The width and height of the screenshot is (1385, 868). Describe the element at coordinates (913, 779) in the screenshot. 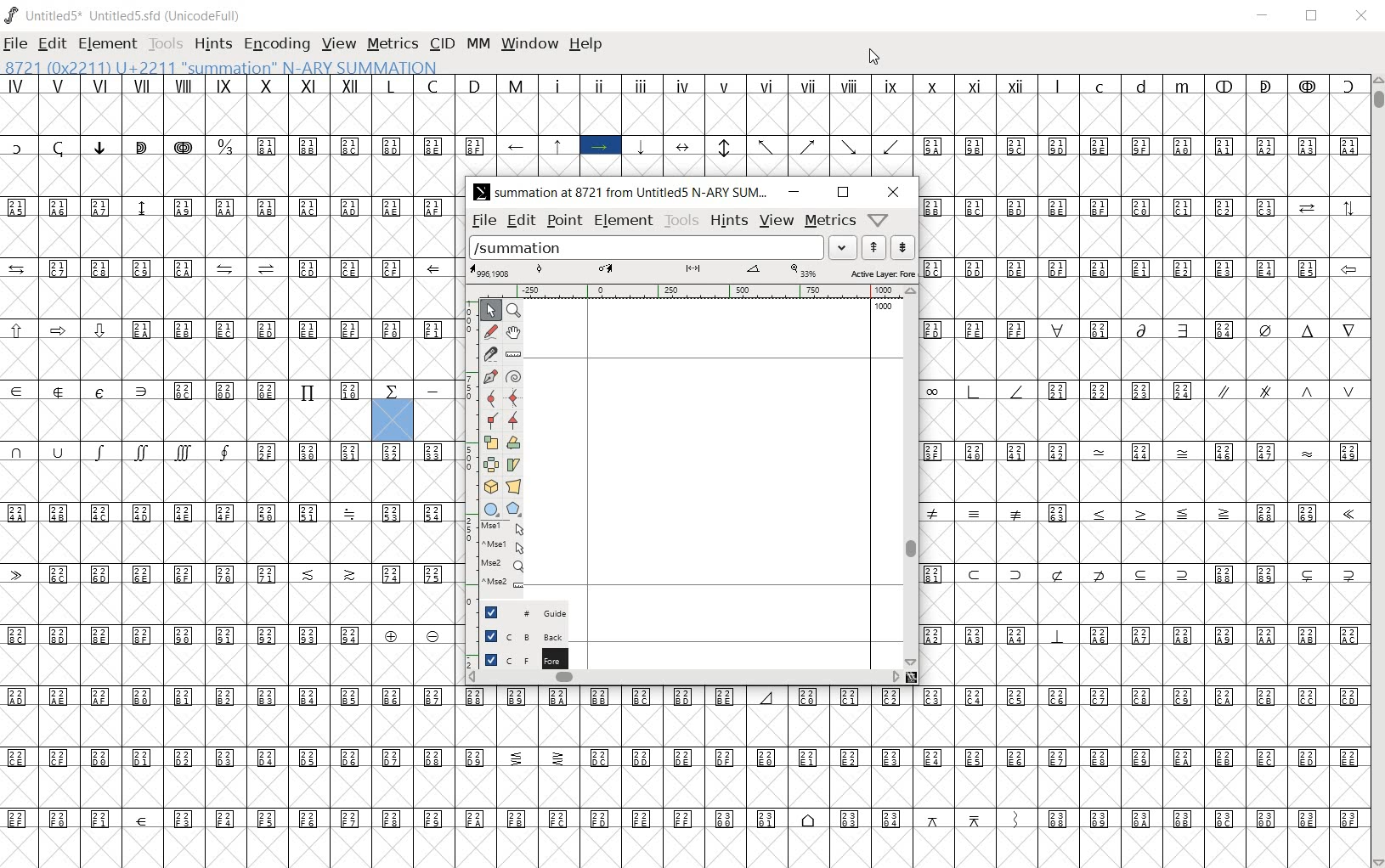

I see `glyph characters` at that location.